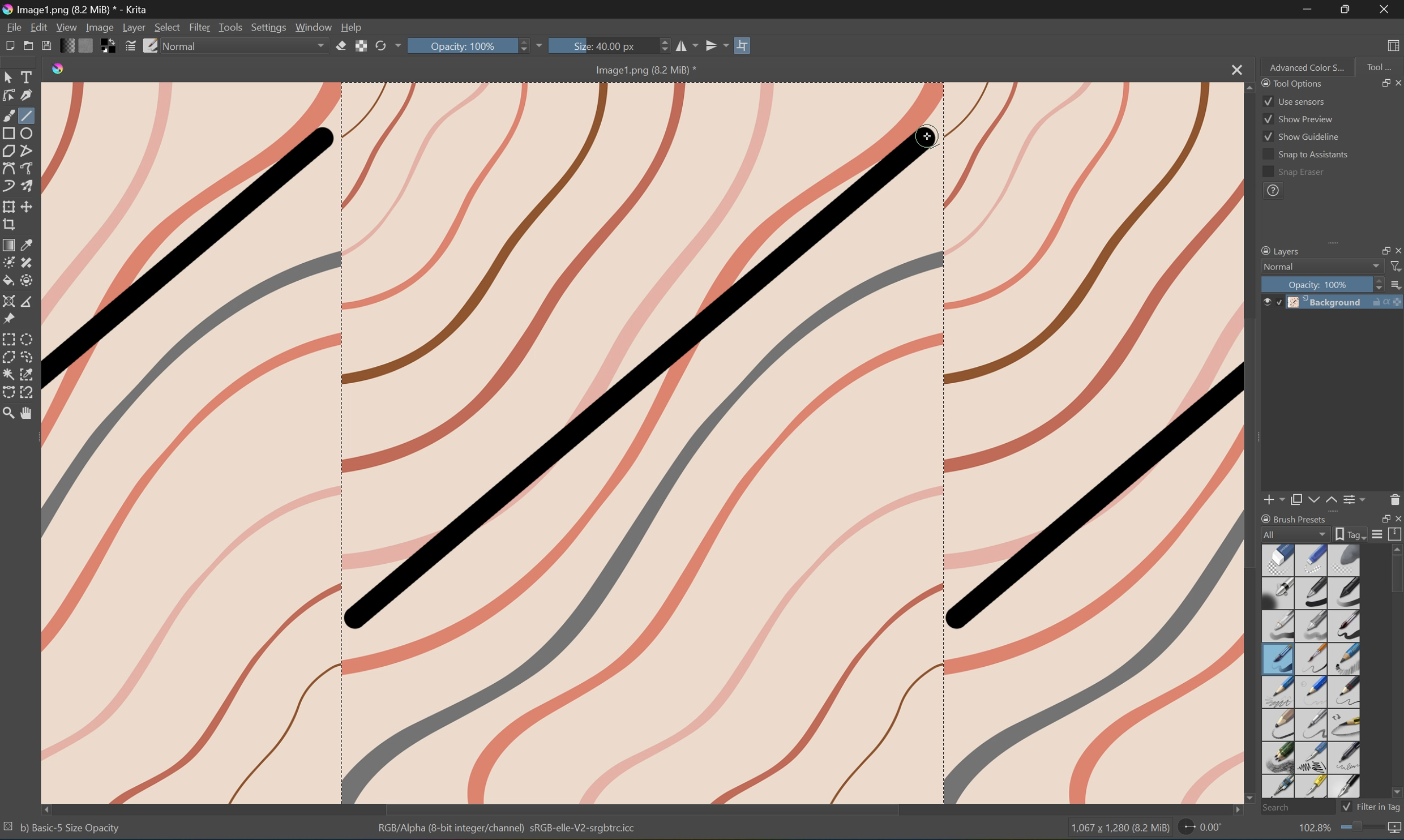  I want to click on Similar color selection tool, so click(28, 374).